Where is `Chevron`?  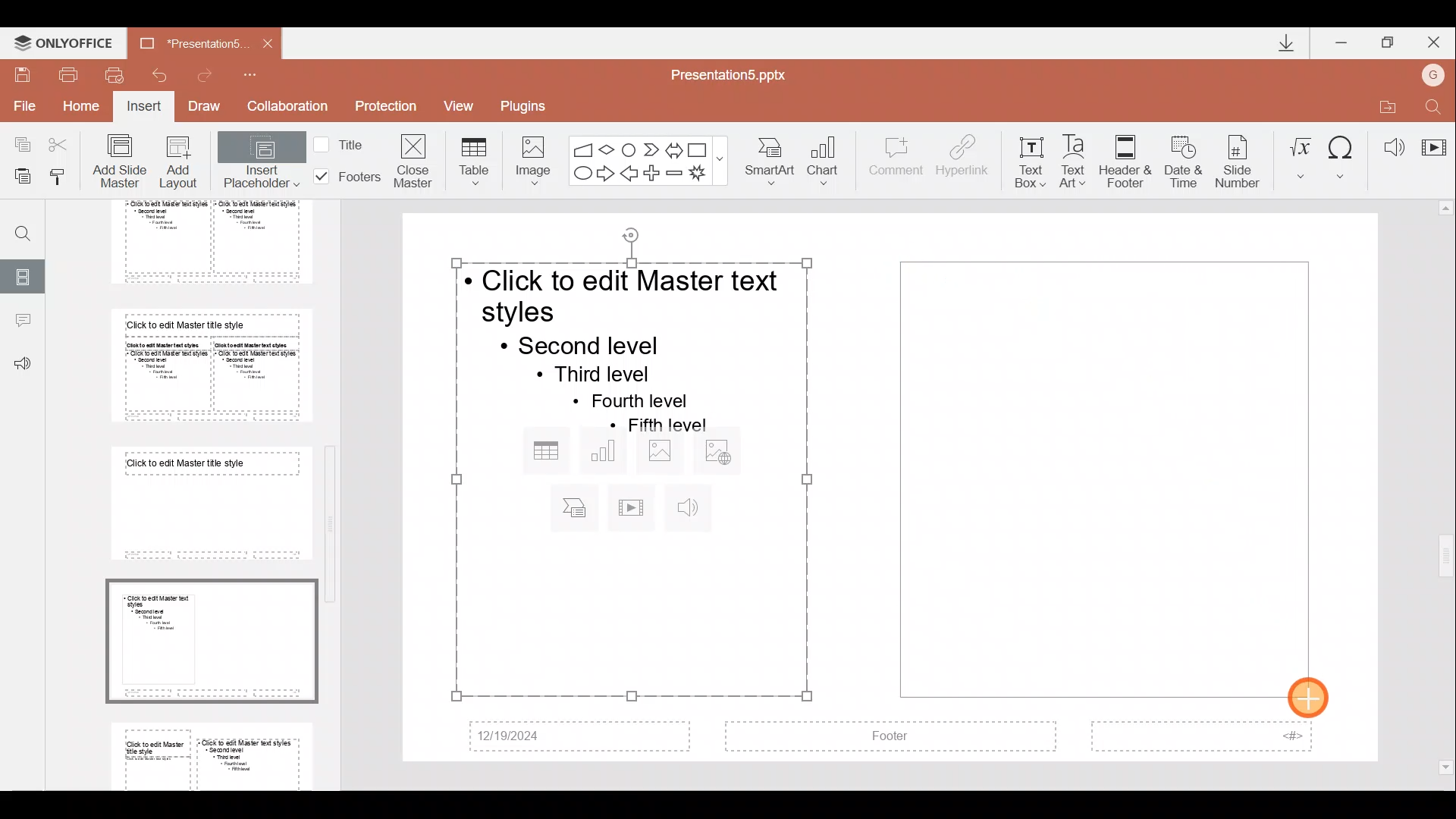
Chevron is located at coordinates (649, 148).